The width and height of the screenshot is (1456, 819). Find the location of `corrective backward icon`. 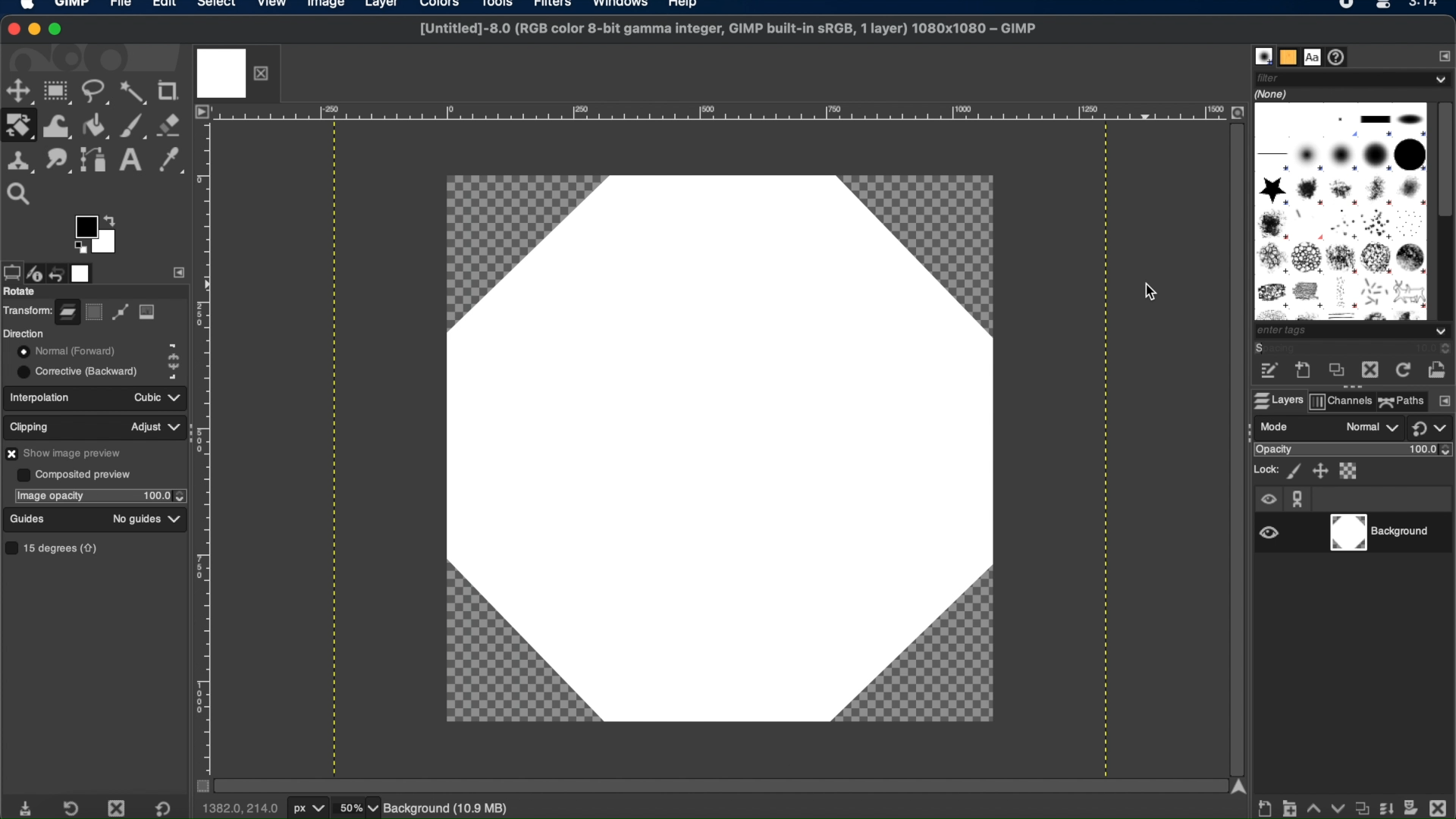

corrective backward icon is located at coordinates (171, 373).